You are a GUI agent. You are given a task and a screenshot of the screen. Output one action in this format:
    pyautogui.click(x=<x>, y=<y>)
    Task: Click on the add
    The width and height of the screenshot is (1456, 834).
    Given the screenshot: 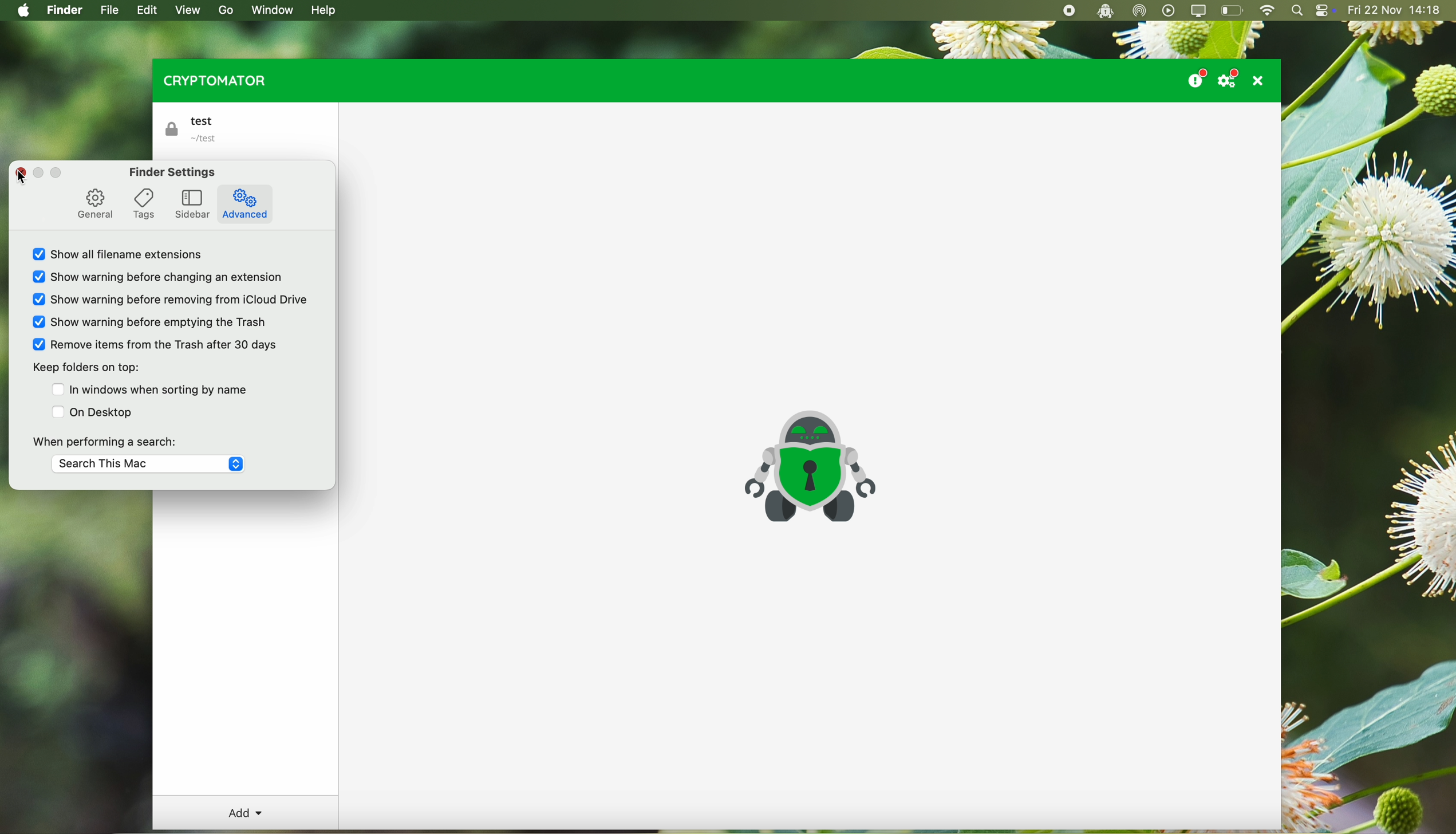 What is the action you would take?
    pyautogui.click(x=246, y=813)
    